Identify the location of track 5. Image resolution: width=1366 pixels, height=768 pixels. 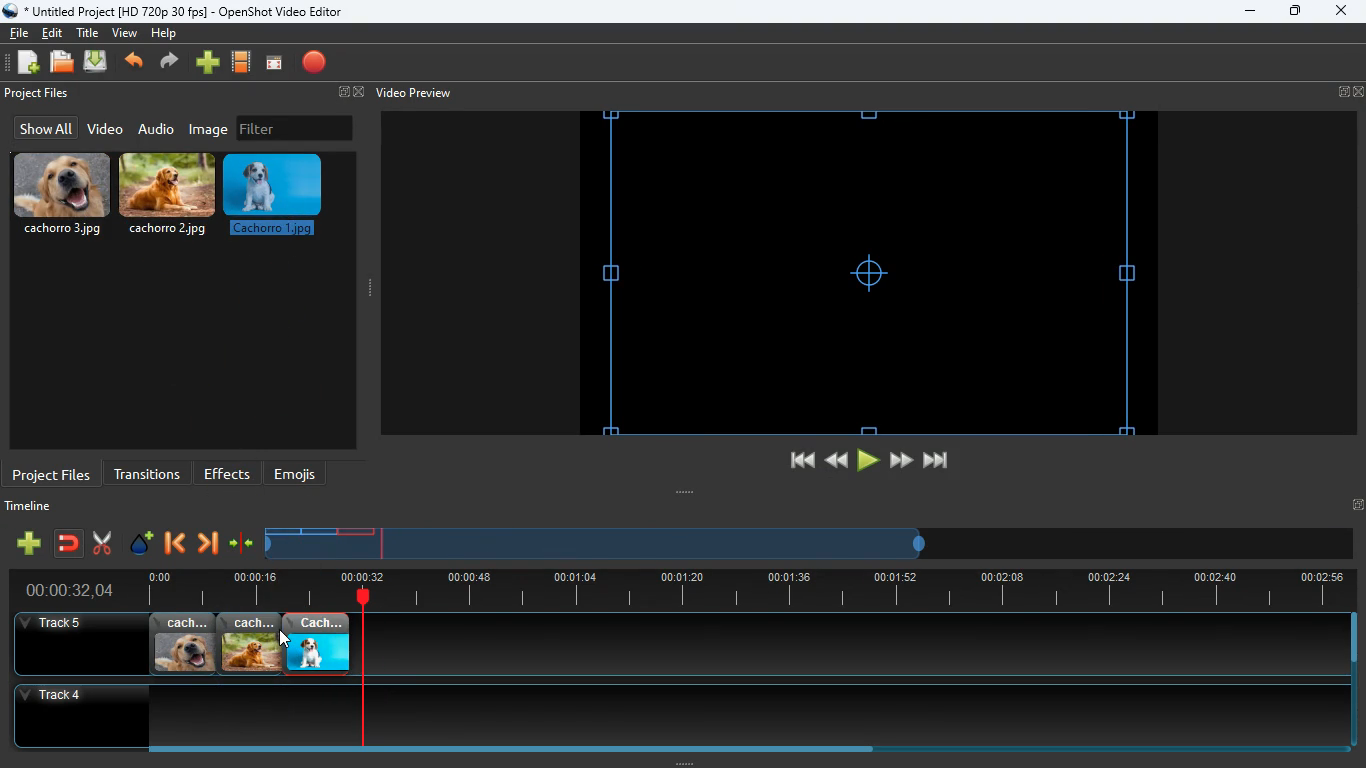
(56, 624).